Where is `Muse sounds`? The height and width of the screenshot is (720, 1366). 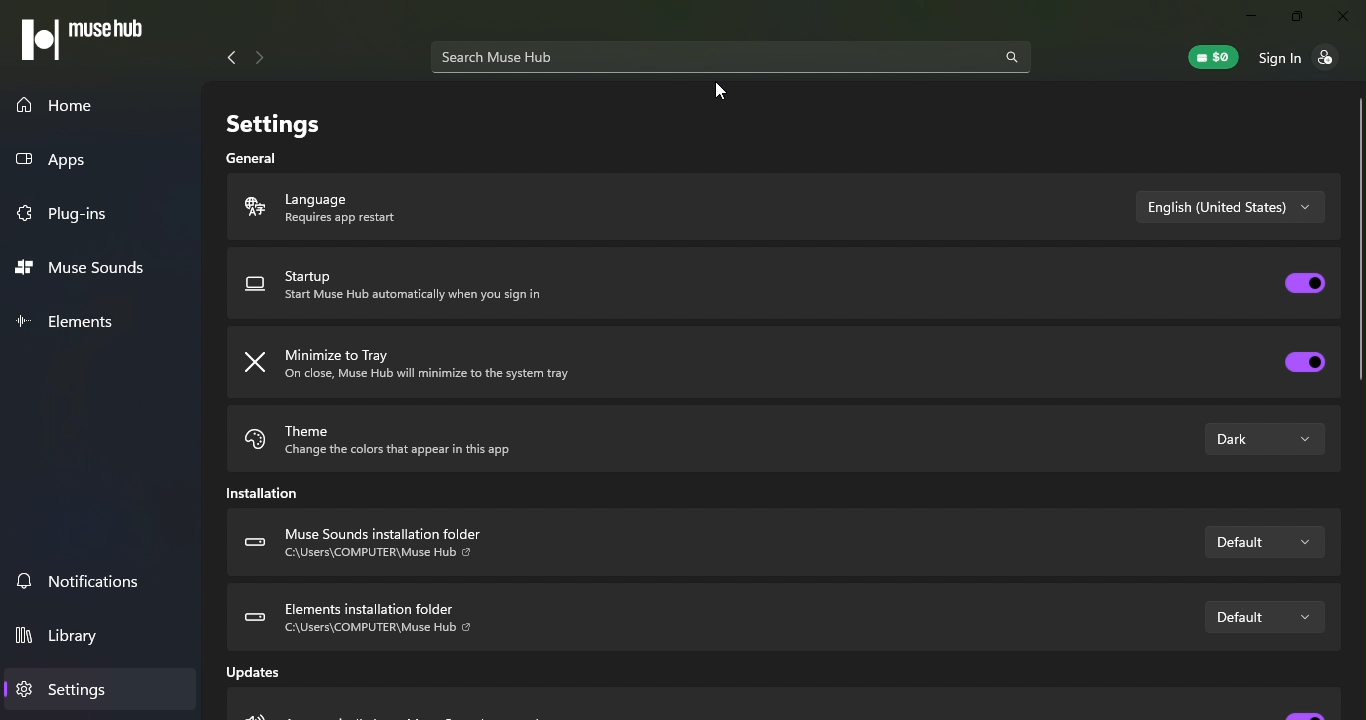
Muse sounds is located at coordinates (88, 272).